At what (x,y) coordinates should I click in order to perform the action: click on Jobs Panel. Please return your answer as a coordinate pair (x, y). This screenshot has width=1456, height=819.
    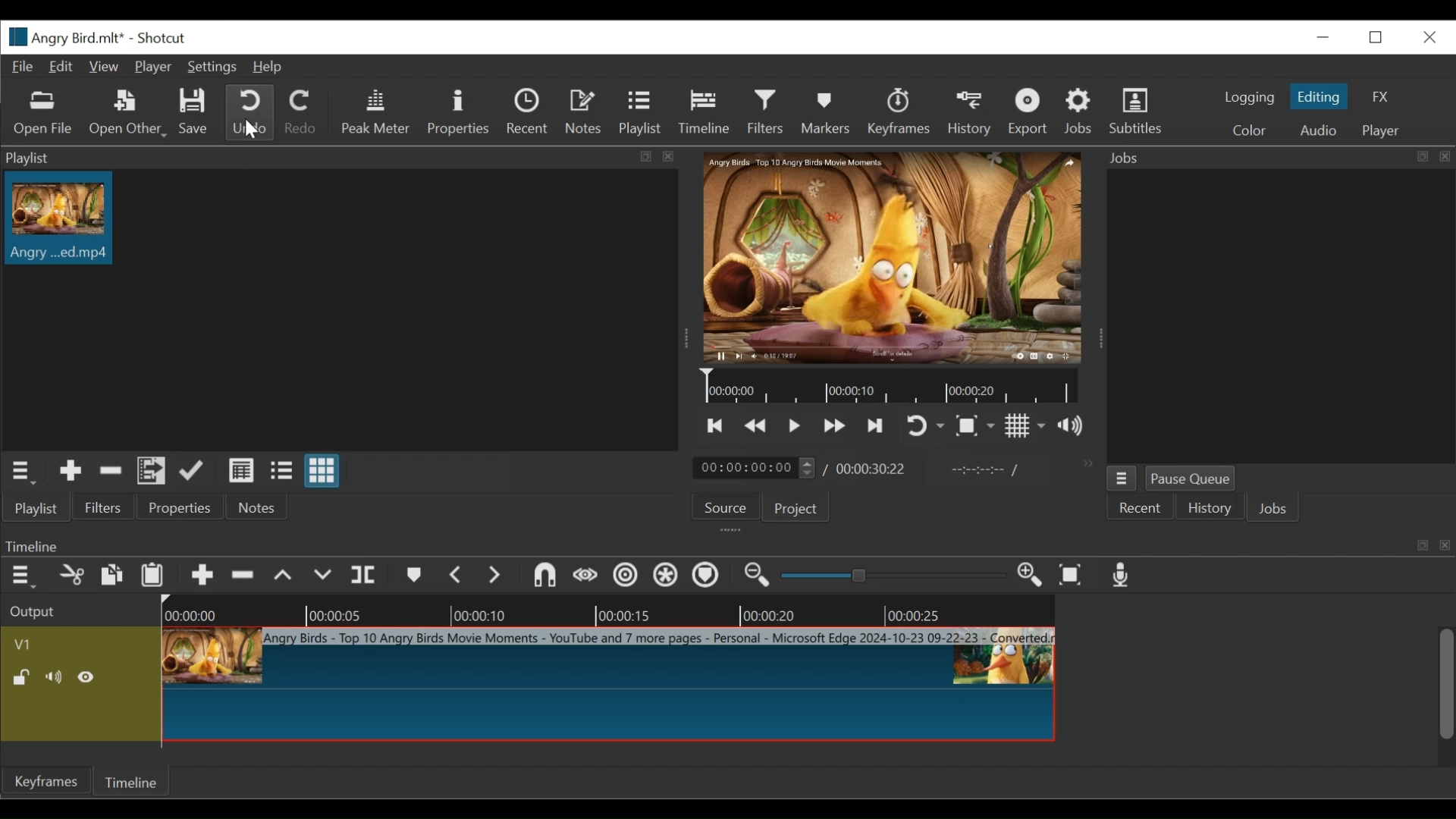
    Looking at the image, I should click on (1279, 158).